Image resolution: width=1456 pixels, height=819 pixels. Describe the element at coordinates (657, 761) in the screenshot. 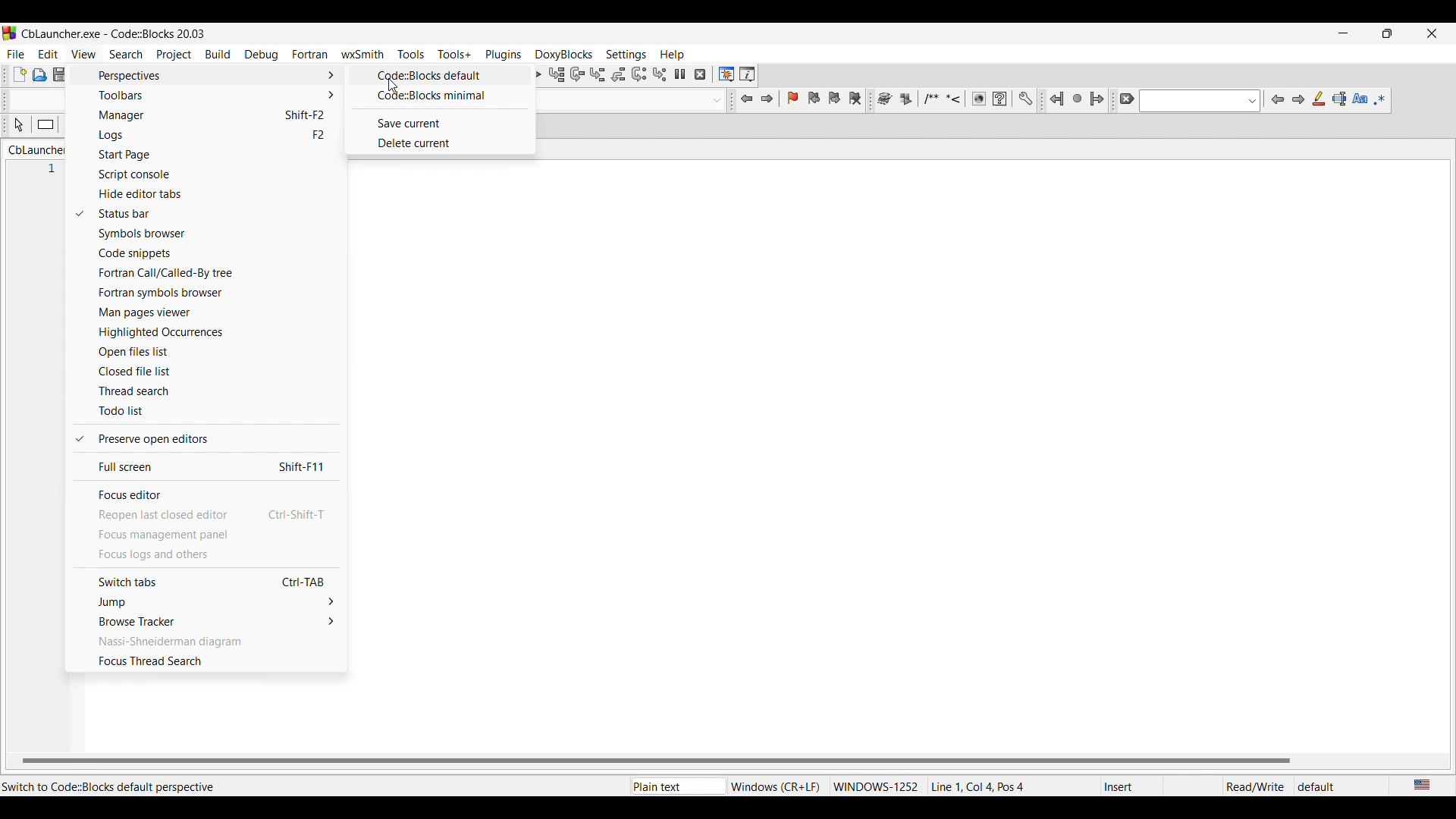

I see `Horizontal slide bar` at that location.